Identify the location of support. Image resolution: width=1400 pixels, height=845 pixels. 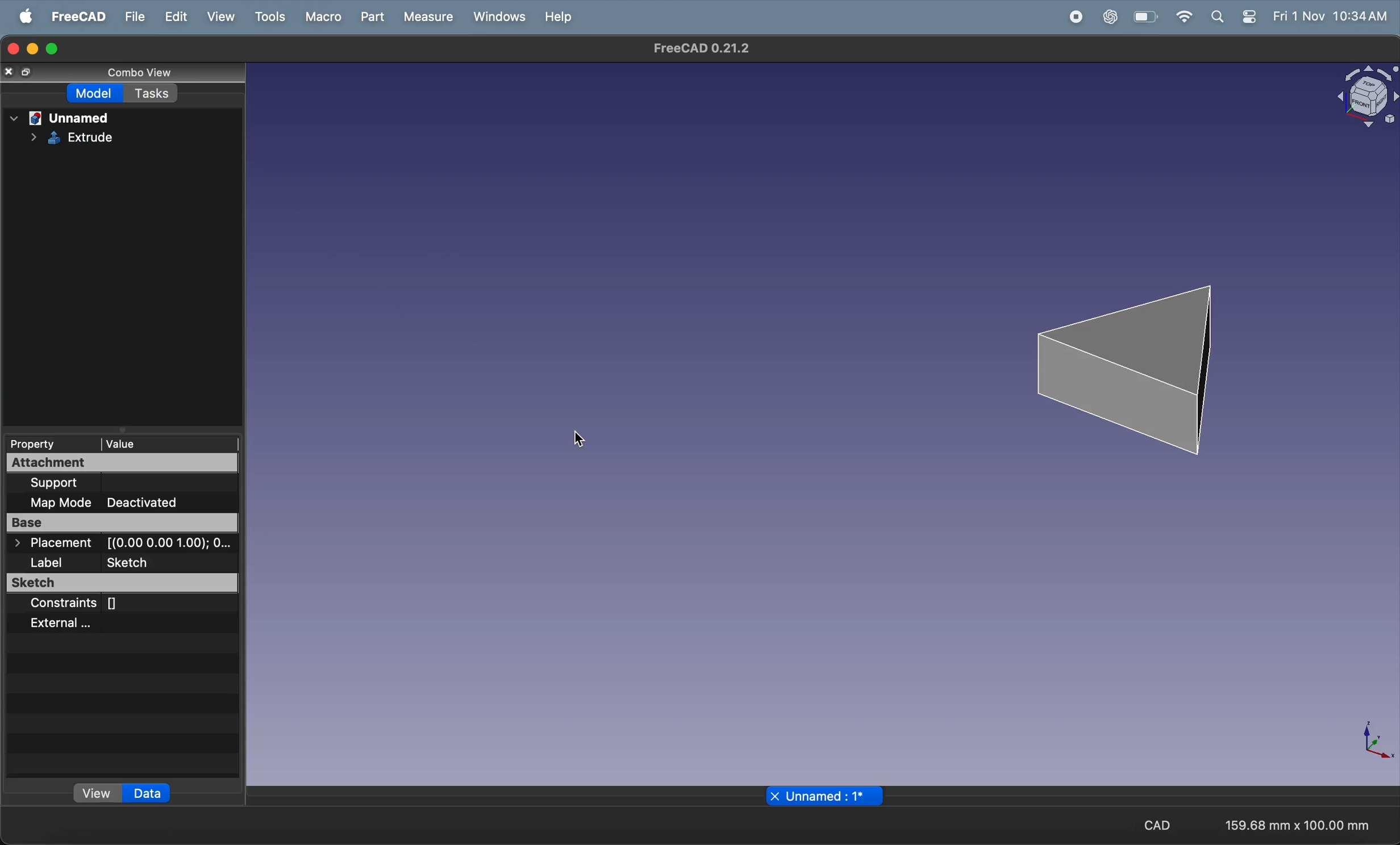
(98, 483).